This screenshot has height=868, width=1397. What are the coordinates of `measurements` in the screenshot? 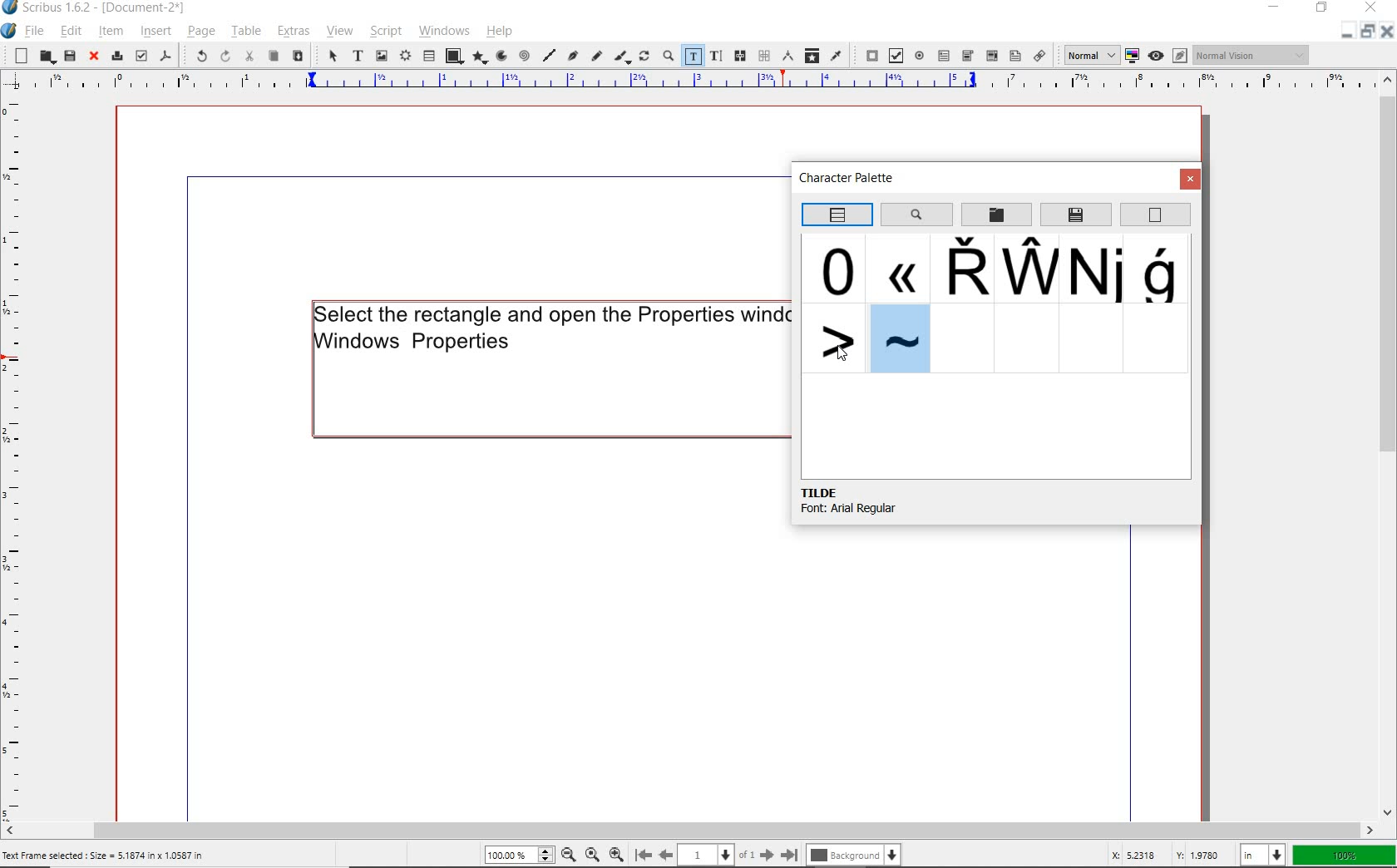 It's located at (787, 55).